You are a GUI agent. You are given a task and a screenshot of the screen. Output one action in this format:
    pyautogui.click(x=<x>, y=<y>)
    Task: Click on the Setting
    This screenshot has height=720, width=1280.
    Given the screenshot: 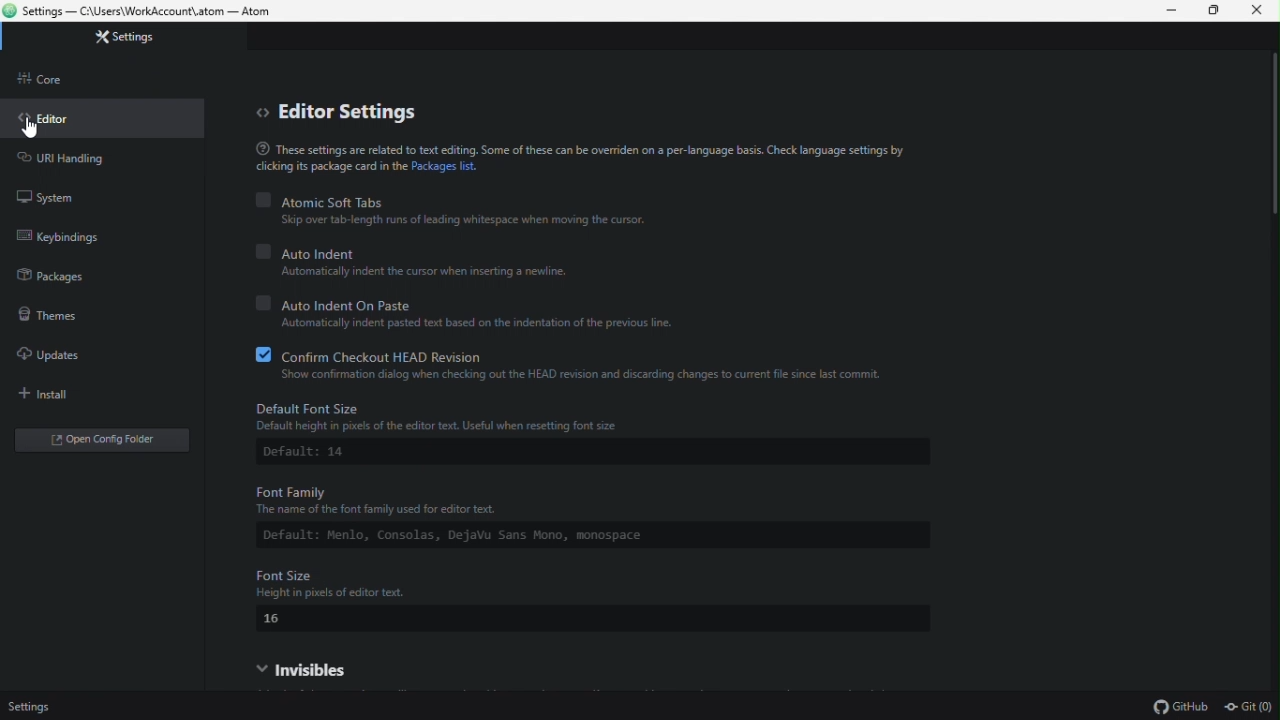 What is the action you would take?
    pyautogui.click(x=147, y=41)
    